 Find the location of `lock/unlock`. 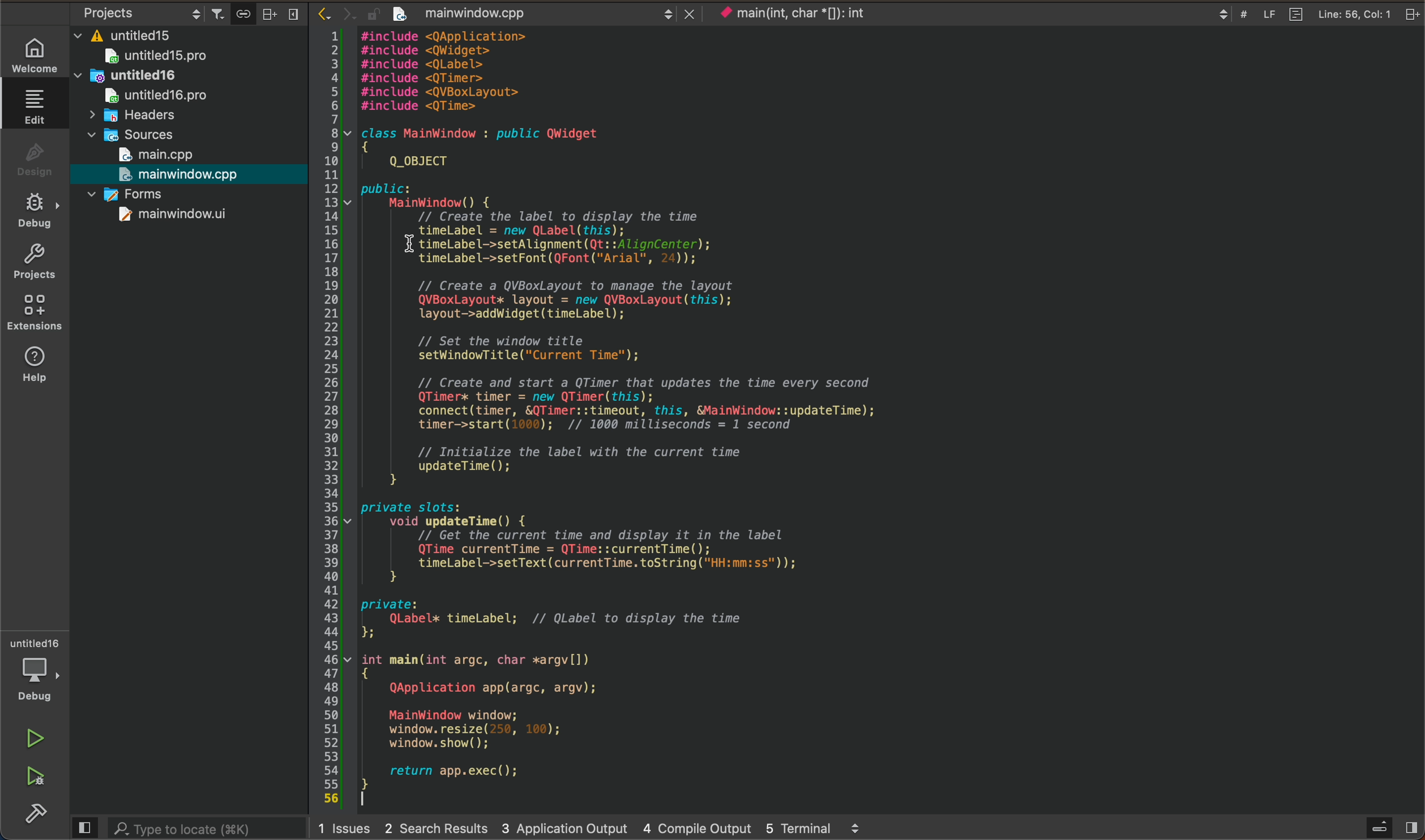

lock/unlock is located at coordinates (374, 14).